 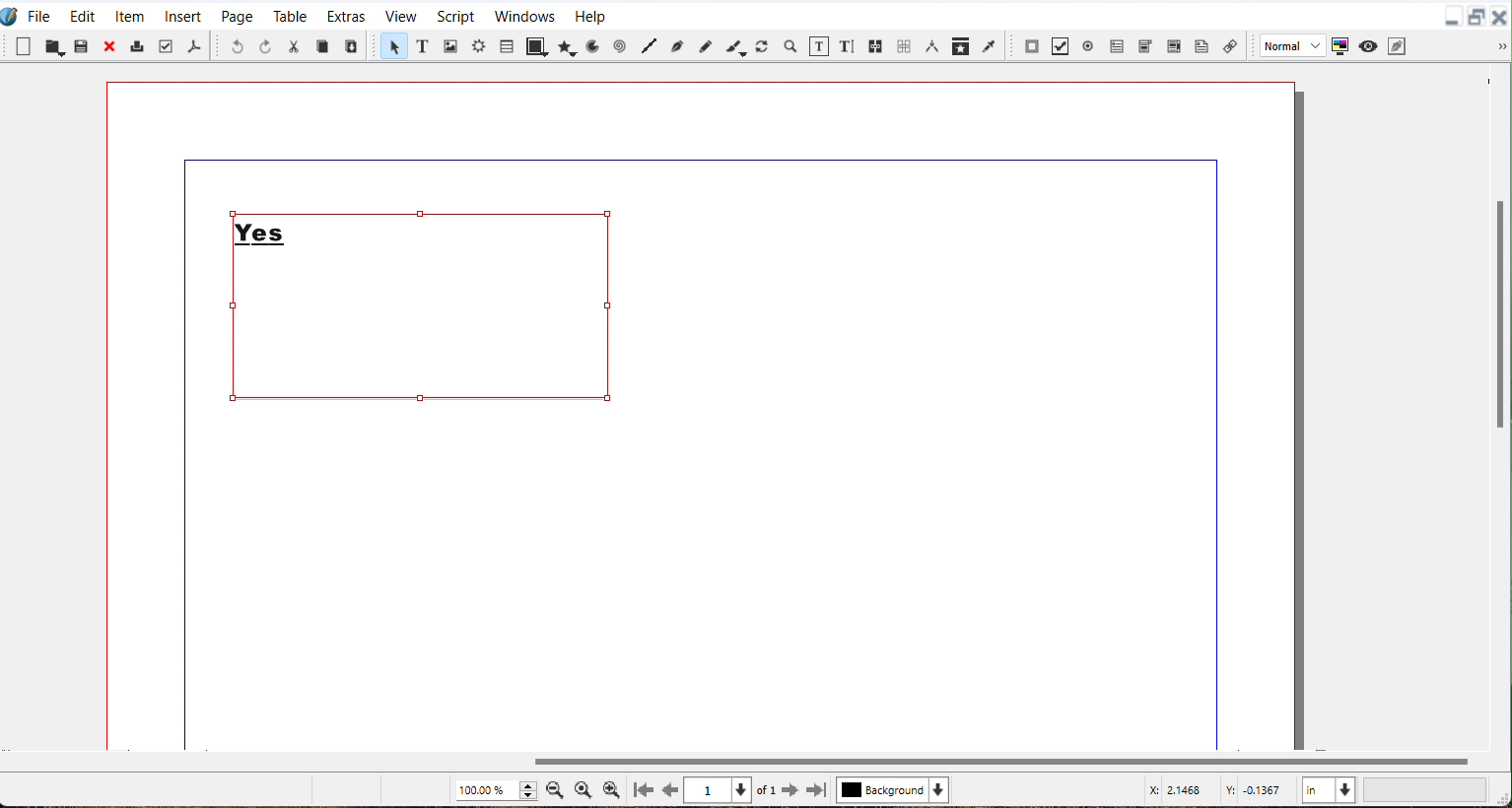 What do you see at coordinates (1218, 460) in the screenshot?
I see `right margin` at bounding box center [1218, 460].